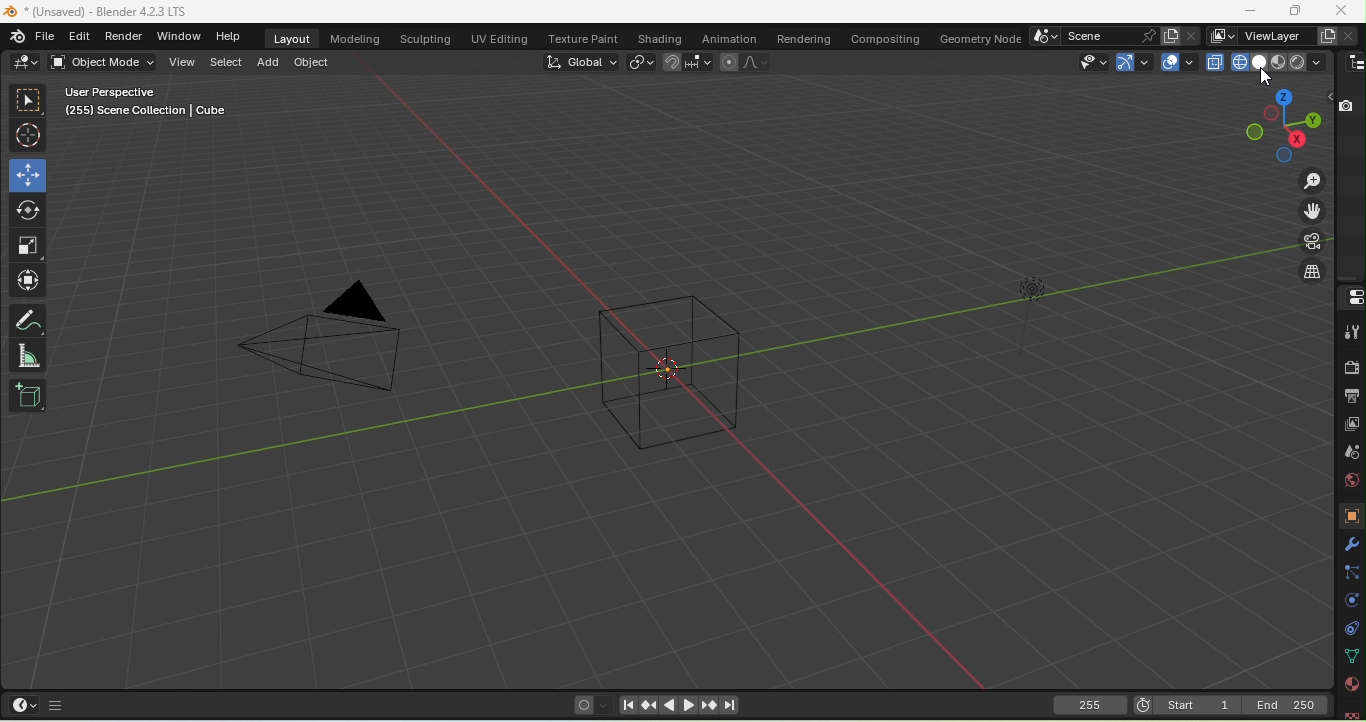 Image resolution: width=1366 pixels, height=722 pixels. What do you see at coordinates (1311, 179) in the screenshot?
I see `Zoom in/out in the view` at bounding box center [1311, 179].